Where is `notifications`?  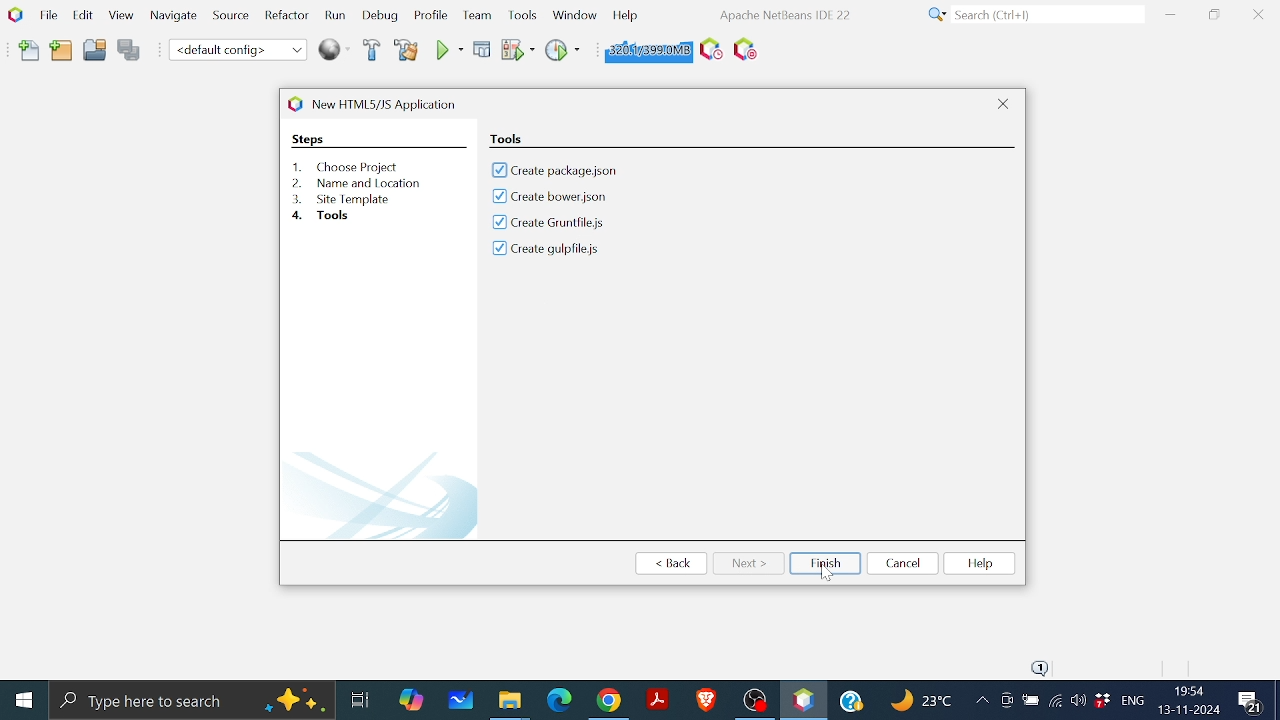
notifications is located at coordinates (1043, 665).